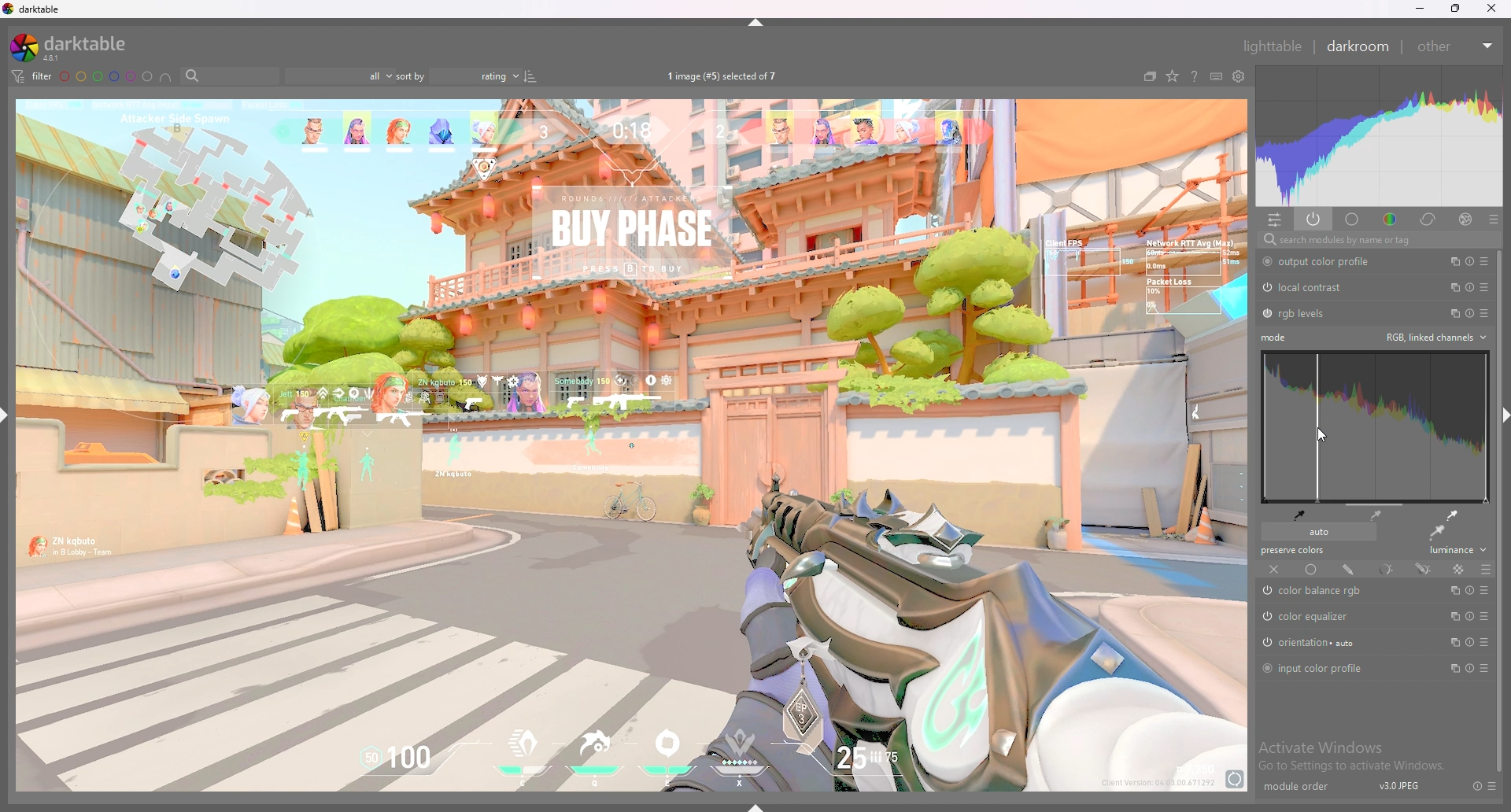 The height and width of the screenshot is (812, 1511). What do you see at coordinates (1487, 569) in the screenshot?
I see `blending options` at bounding box center [1487, 569].